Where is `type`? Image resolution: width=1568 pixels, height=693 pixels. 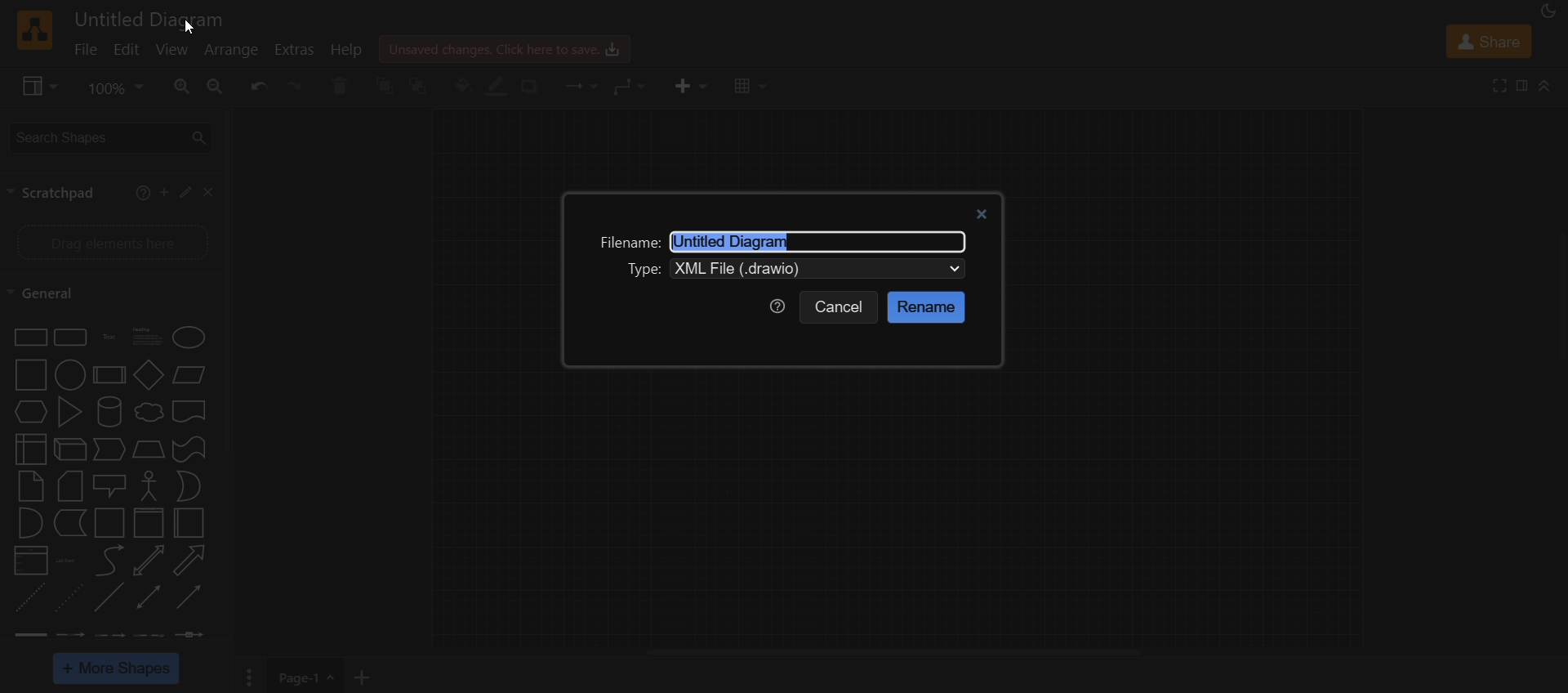
type is located at coordinates (644, 269).